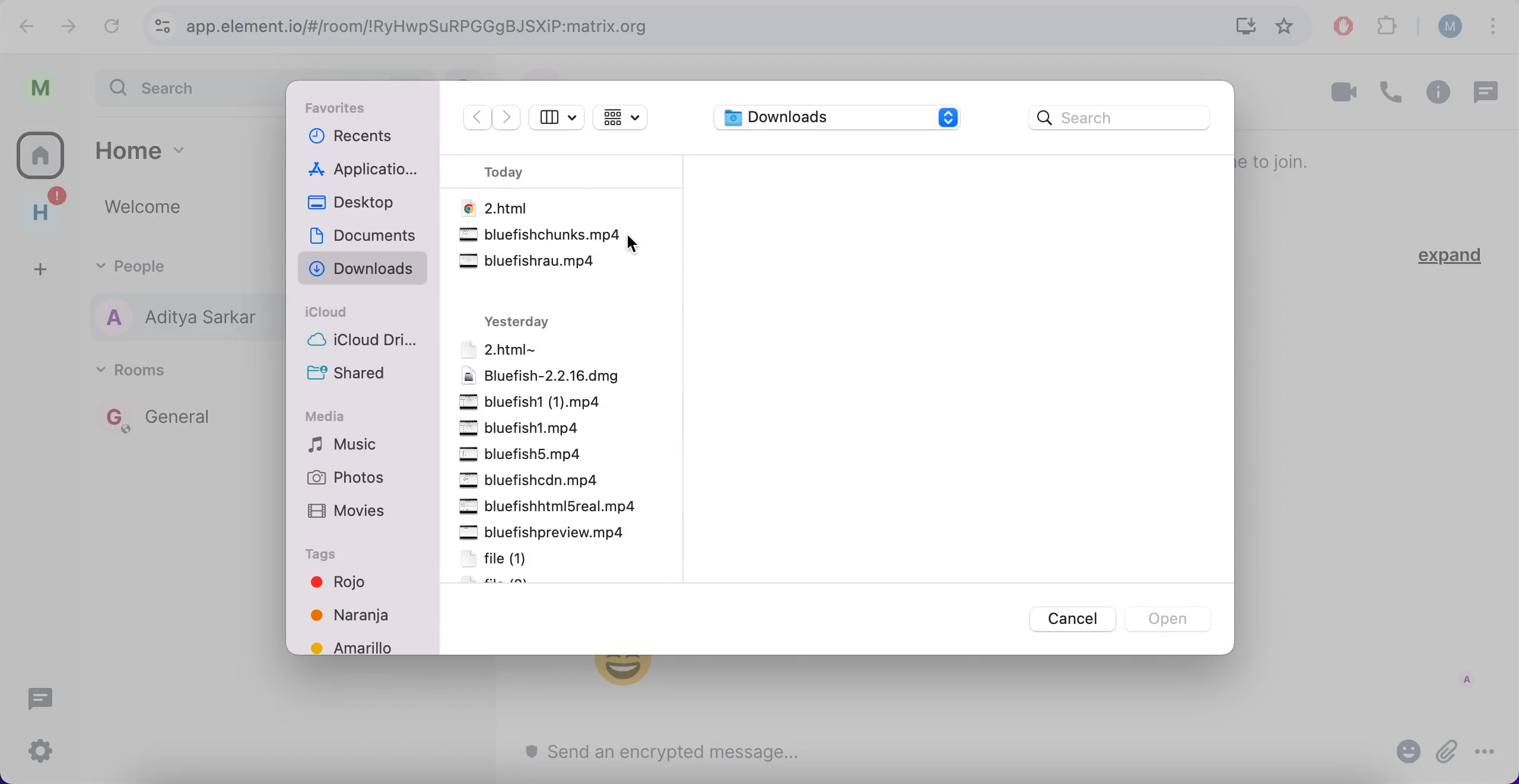  What do you see at coordinates (360, 512) in the screenshot?
I see `movies` at bounding box center [360, 512].